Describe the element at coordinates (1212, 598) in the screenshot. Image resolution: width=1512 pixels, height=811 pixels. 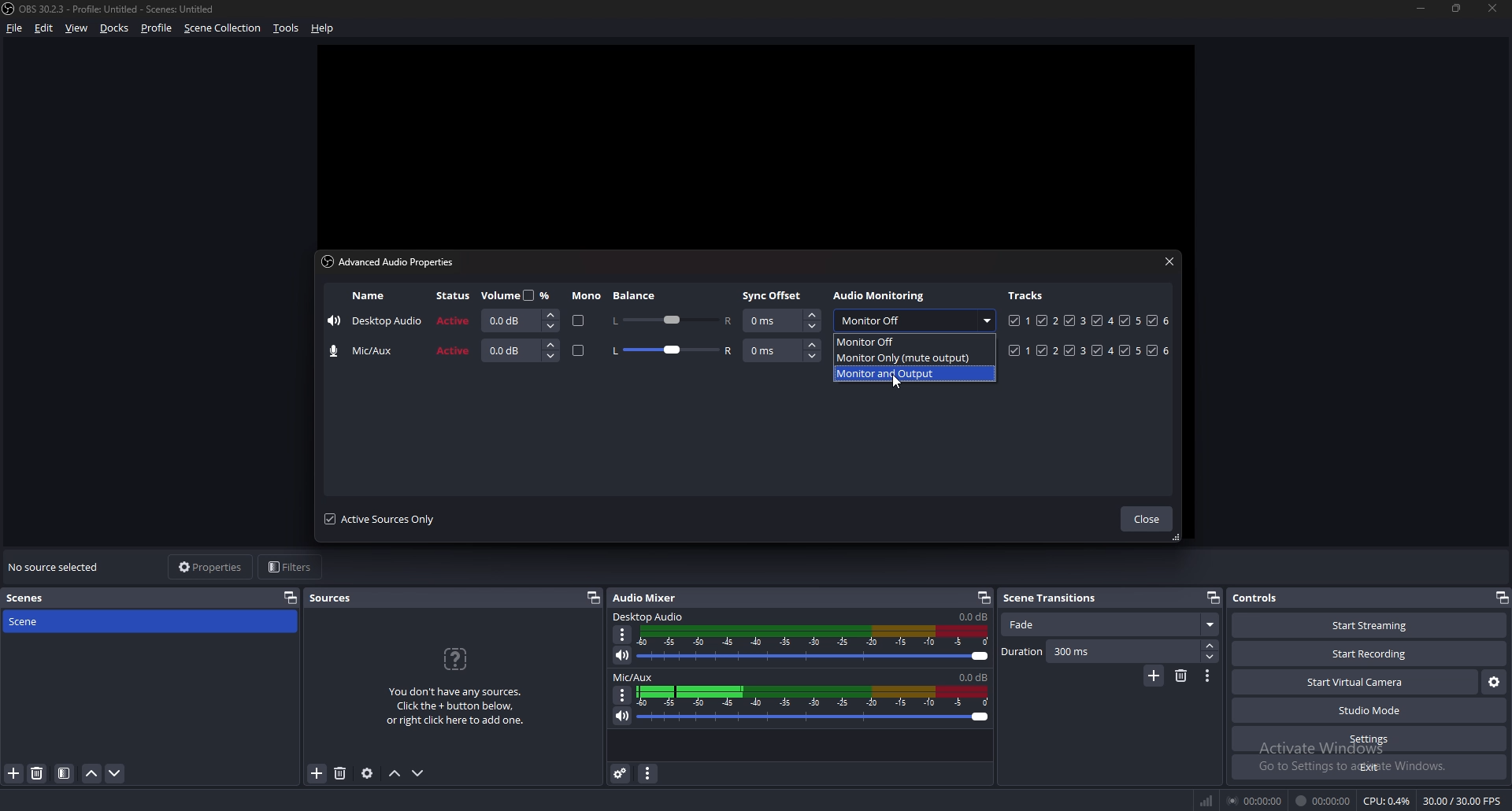
I see `pop out` at that location.